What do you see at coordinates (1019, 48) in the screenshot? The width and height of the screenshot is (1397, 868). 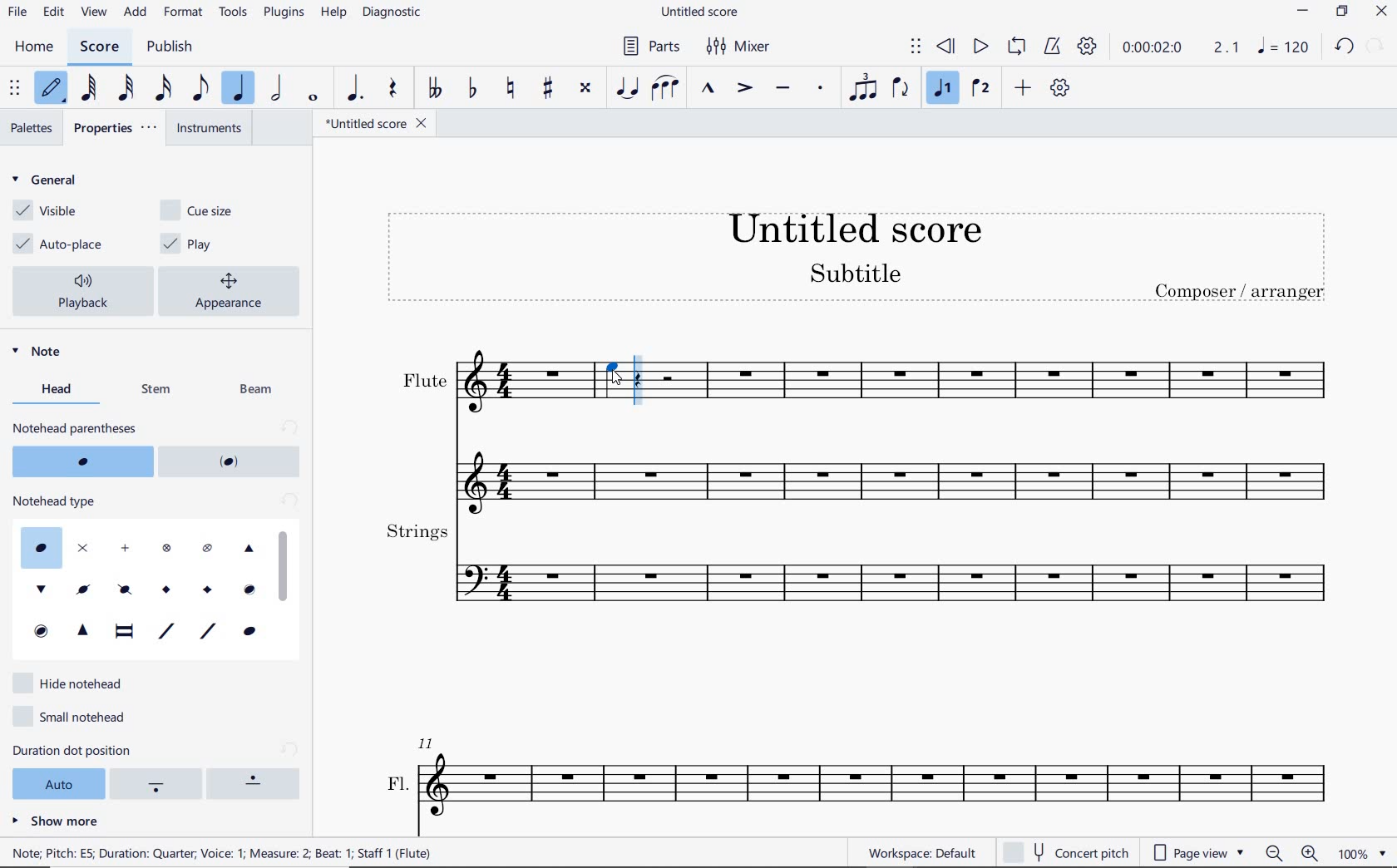 I see `LOOP PLAYBACK` at bounding box center [1019, 48].